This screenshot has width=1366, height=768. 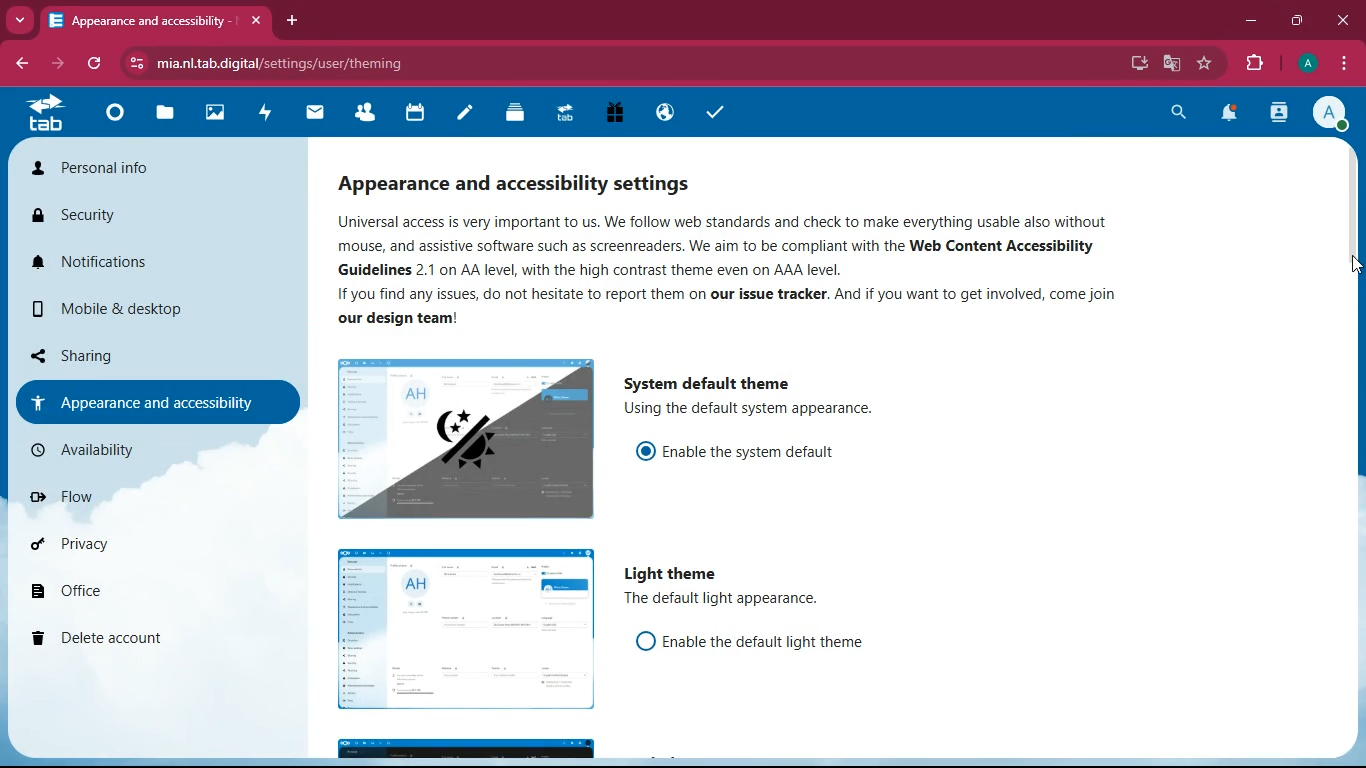 What do you see at coordinates (668, 574) in the screenshot?
I see `light theme` at bounding box center [668, 574].